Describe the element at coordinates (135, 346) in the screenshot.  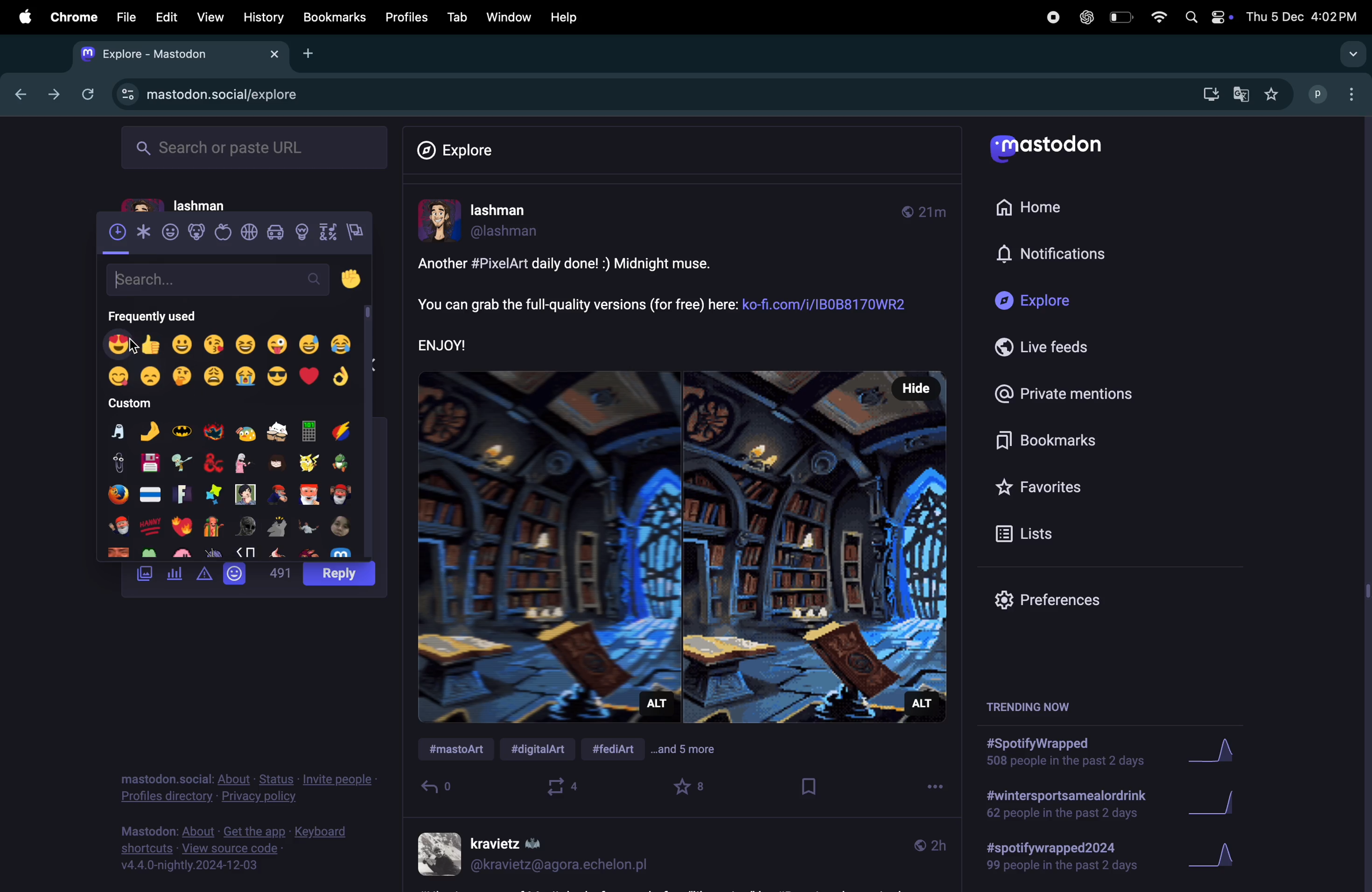
I see `Cursor` at that location.